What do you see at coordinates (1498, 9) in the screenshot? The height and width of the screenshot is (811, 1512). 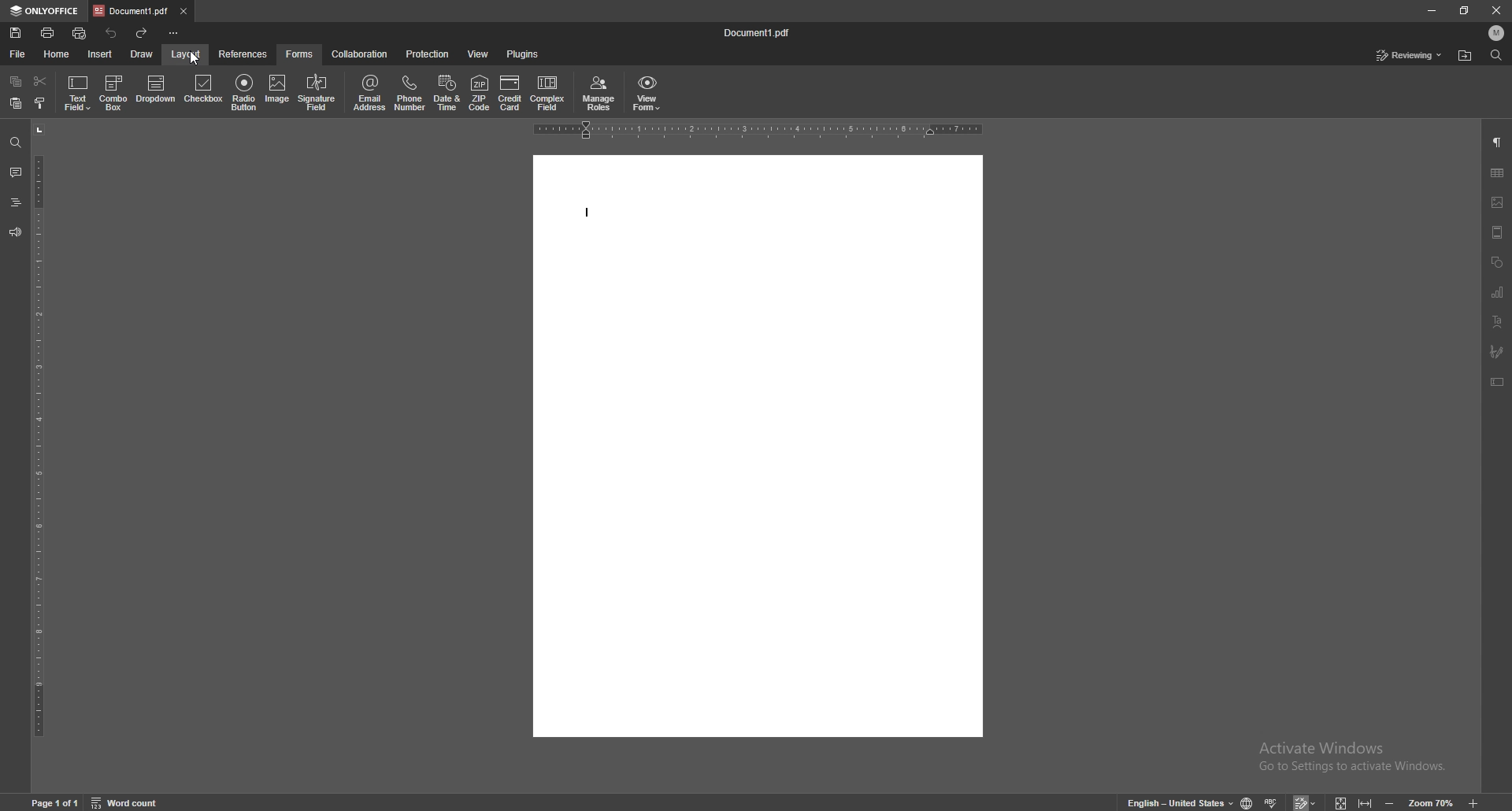 I see `close` at bounding box center [1498, 9].